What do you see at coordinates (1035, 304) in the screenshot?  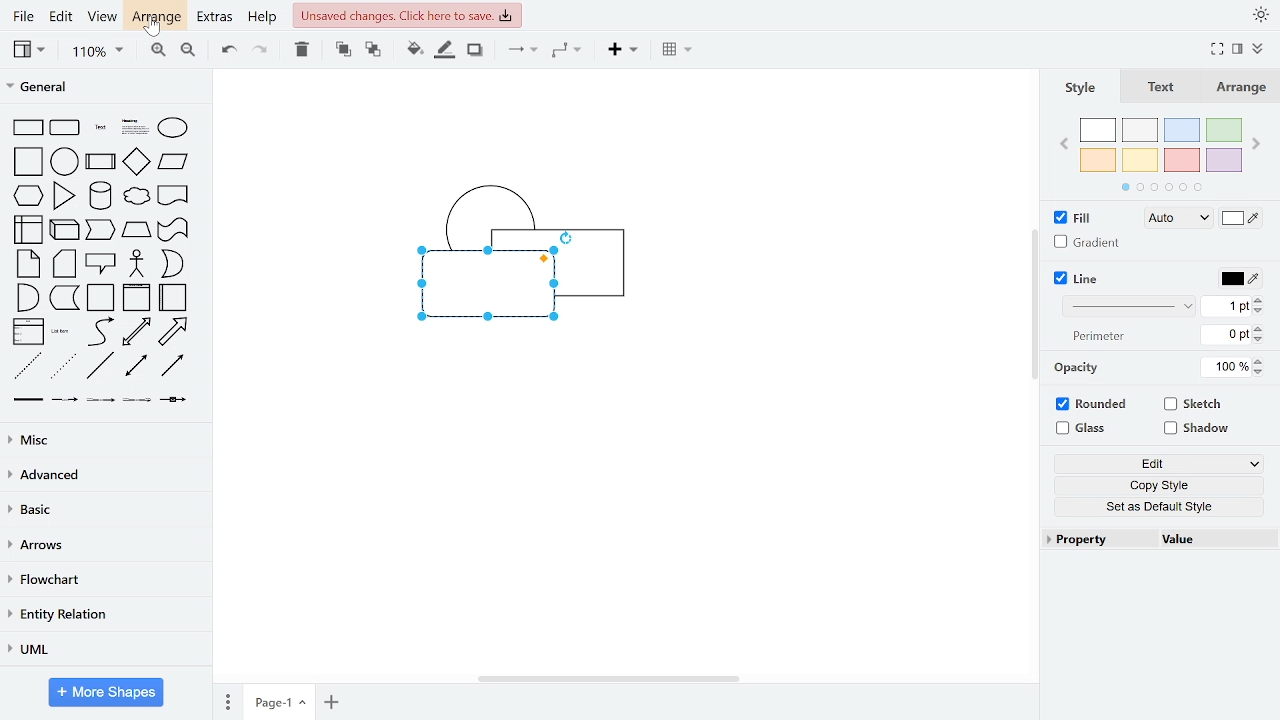 I see `vertical scrollbar` at bounding box center [1035, 304].